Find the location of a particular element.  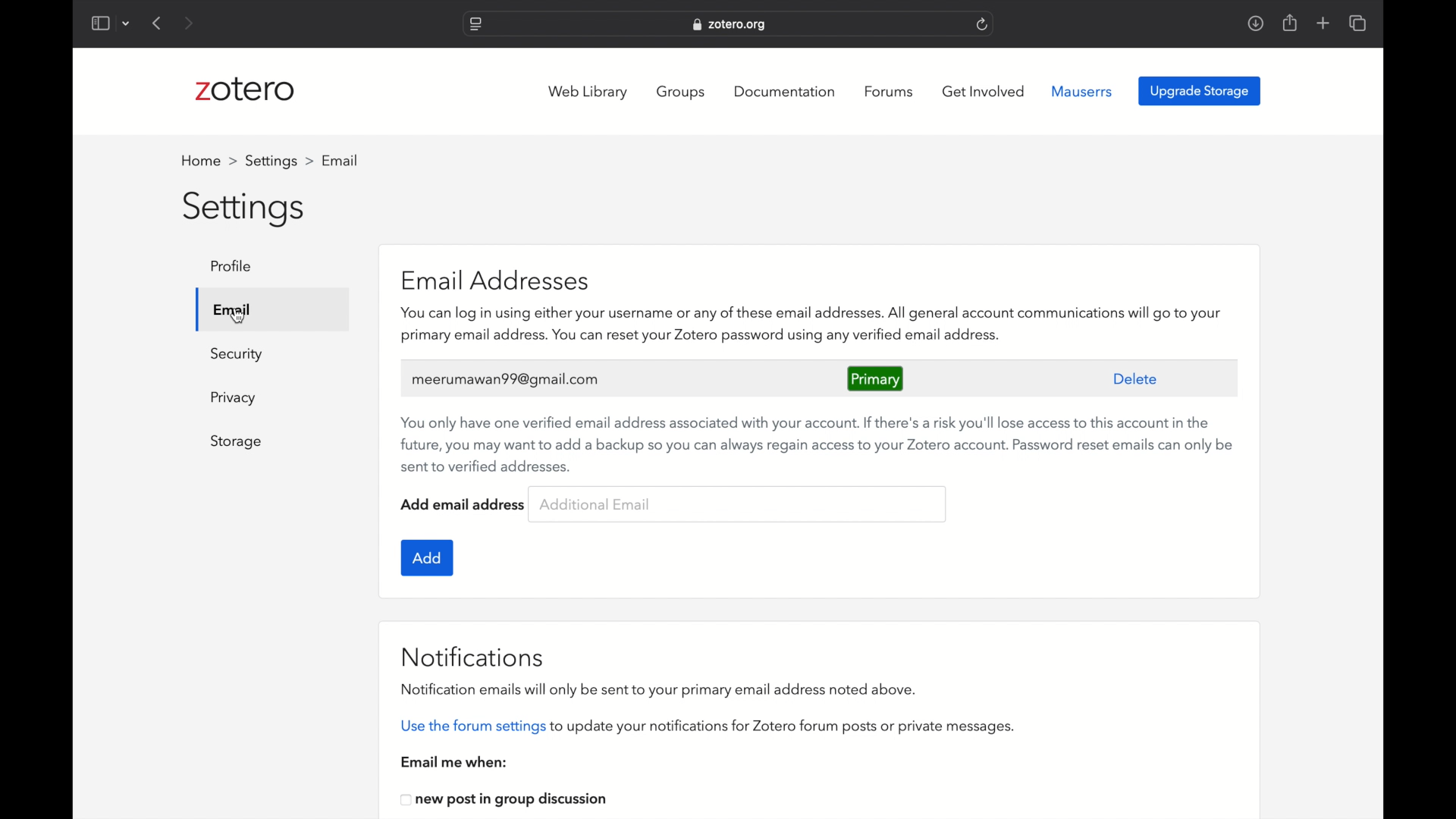

email addresses is located at coordinates (500, 281).